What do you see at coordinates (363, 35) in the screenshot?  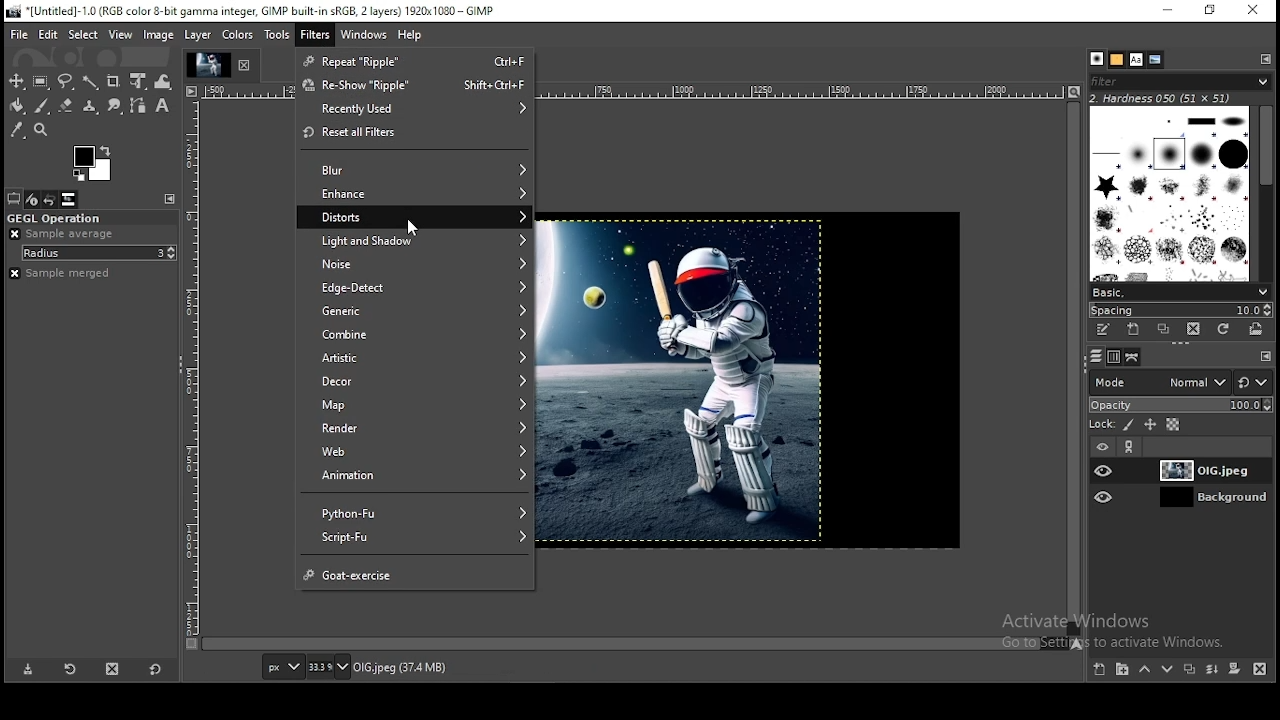 I see `windows` at bounding box center [363, 35].